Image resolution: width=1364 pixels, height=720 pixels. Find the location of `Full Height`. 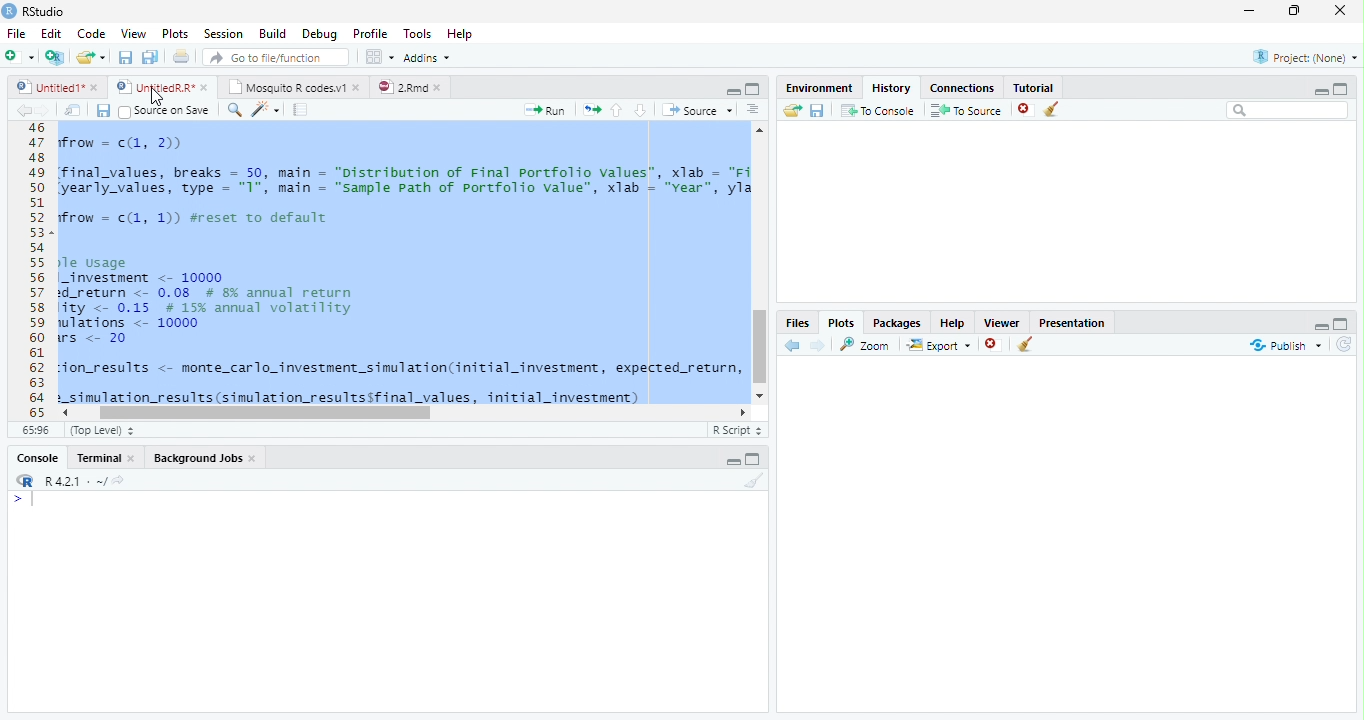

Full Height is located at coordinates (754, 88).